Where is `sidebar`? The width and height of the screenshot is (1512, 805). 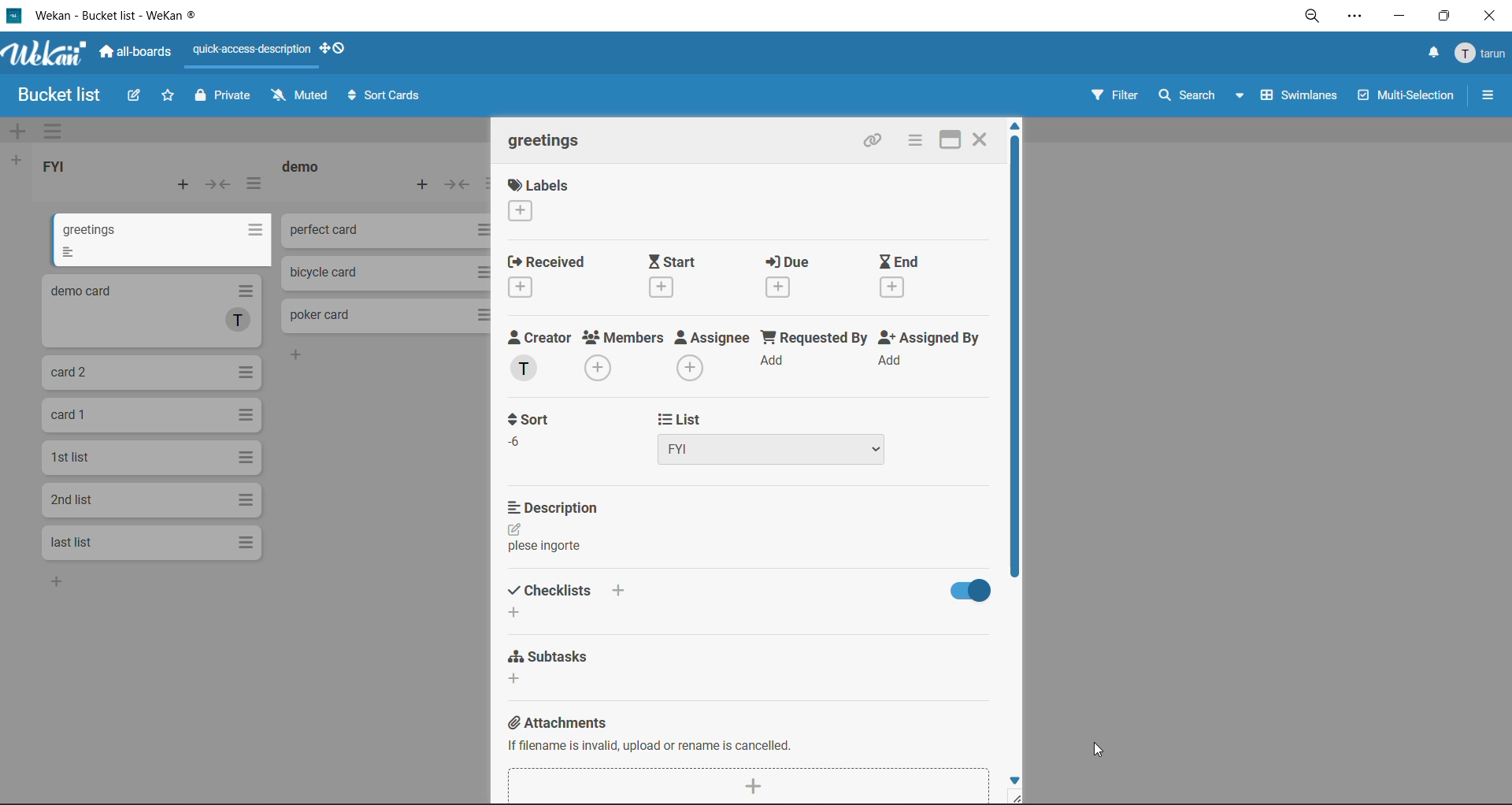
sidebar is located at coordinates (1488, 94).